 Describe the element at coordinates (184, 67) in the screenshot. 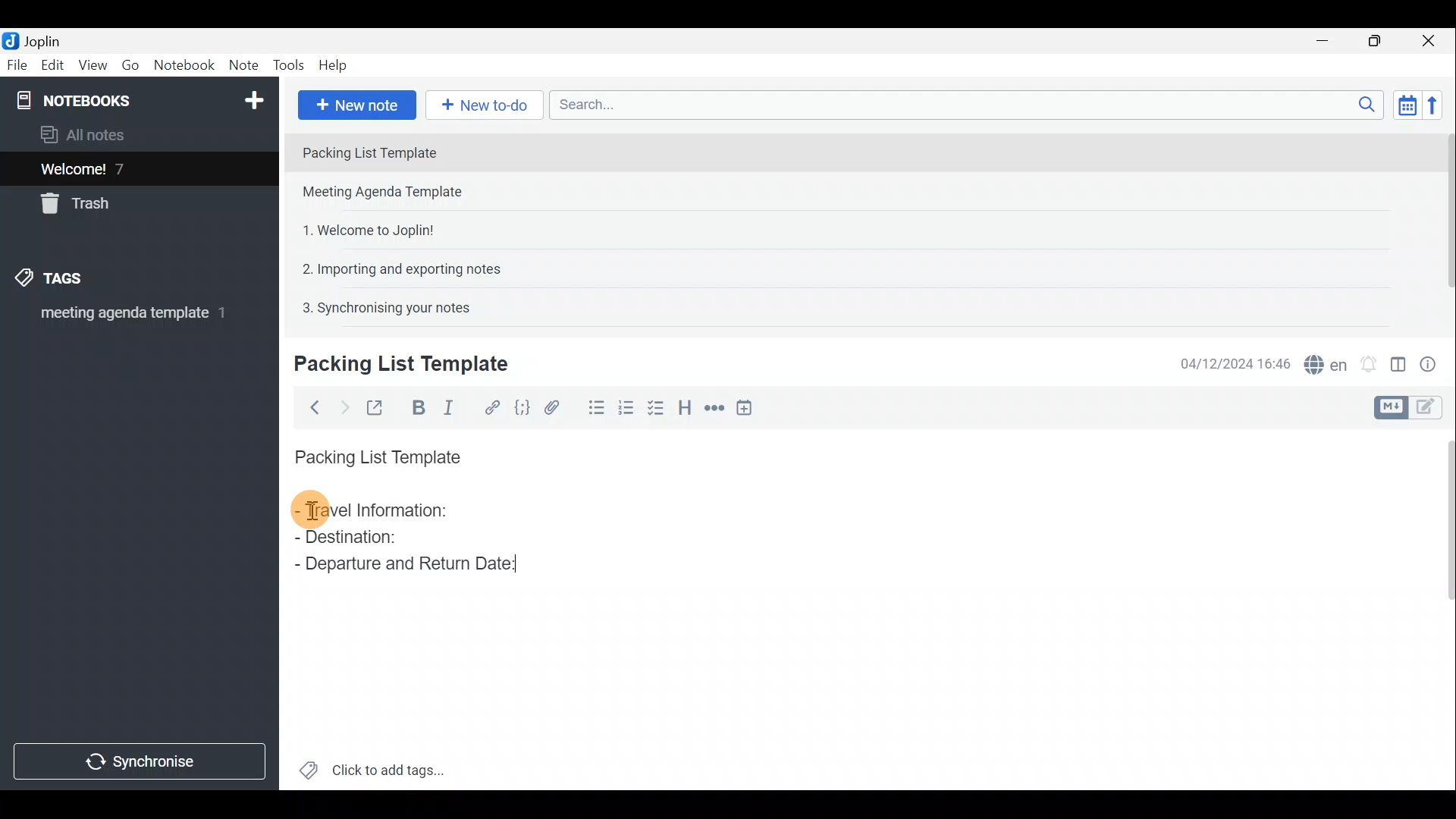

I see `Notebook` at that location.